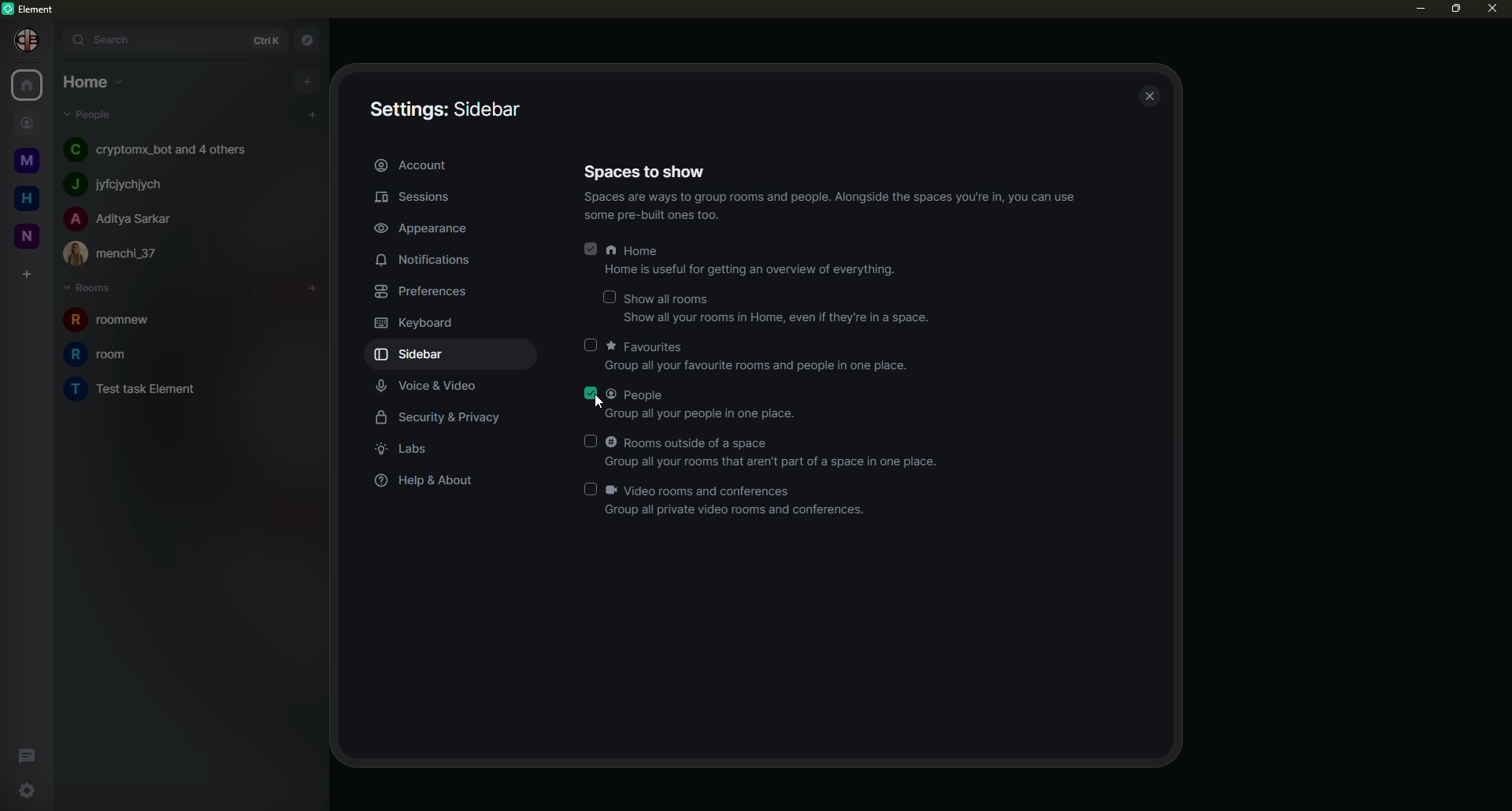 The width and height of the screenshot is (1512, 811). What do you see at coordinates (649, 170) in the screenshot?
I see `spaces to show` at bounding box center [649, 170].